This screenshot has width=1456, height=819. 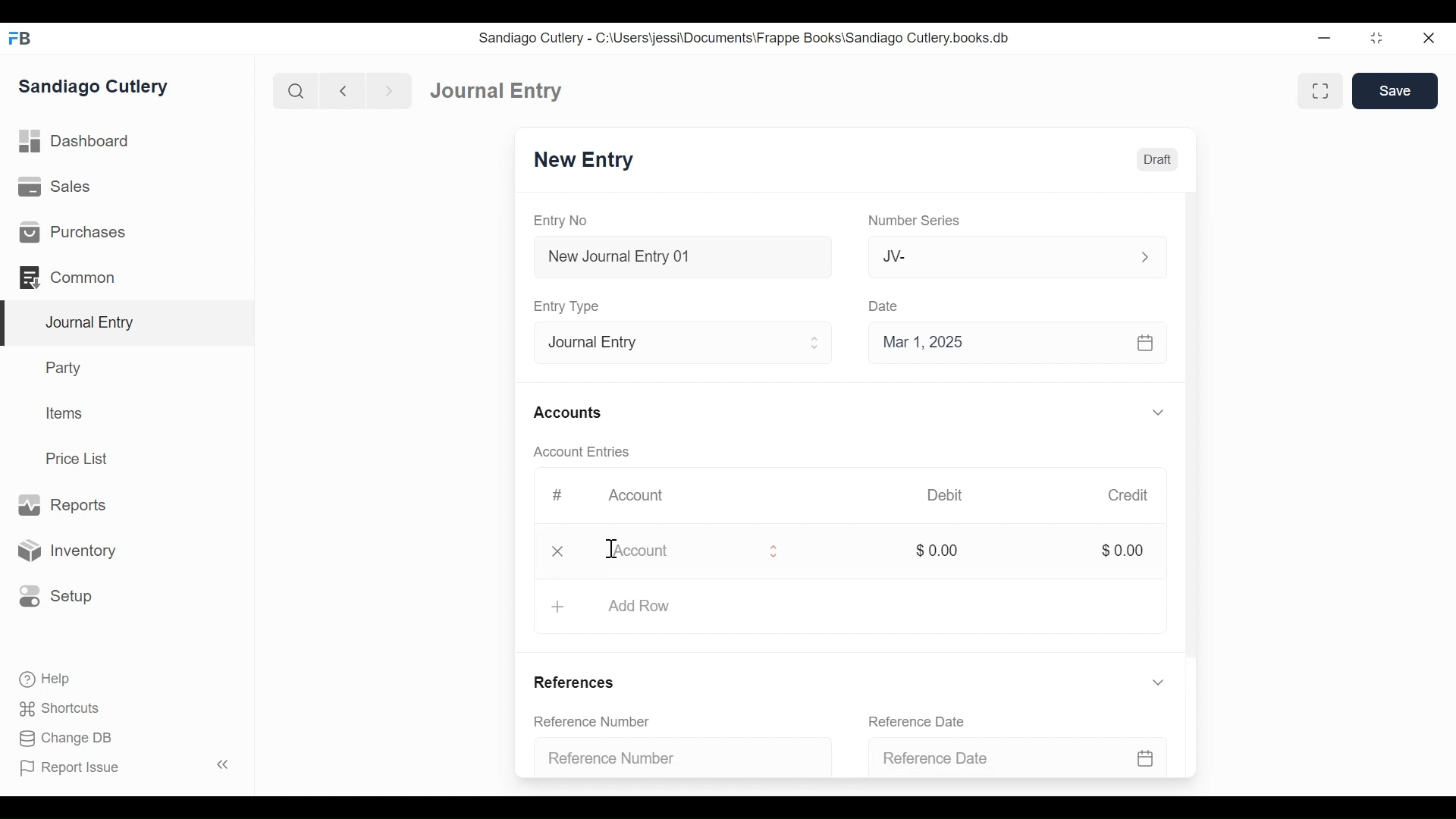 I want to click on Change DB, so click(x=59, y=739).